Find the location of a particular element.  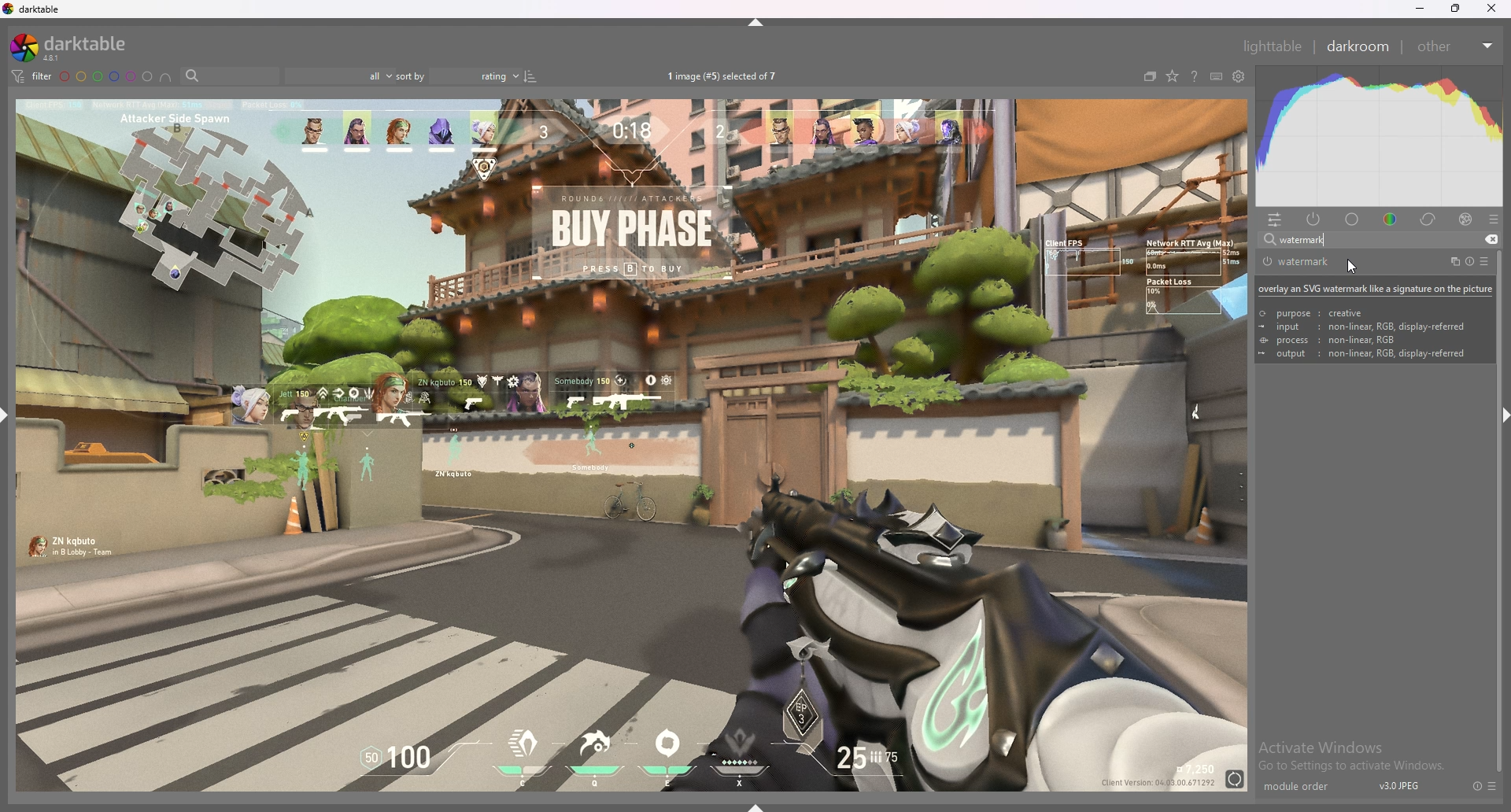

base is located at coordinates (1353, 220).